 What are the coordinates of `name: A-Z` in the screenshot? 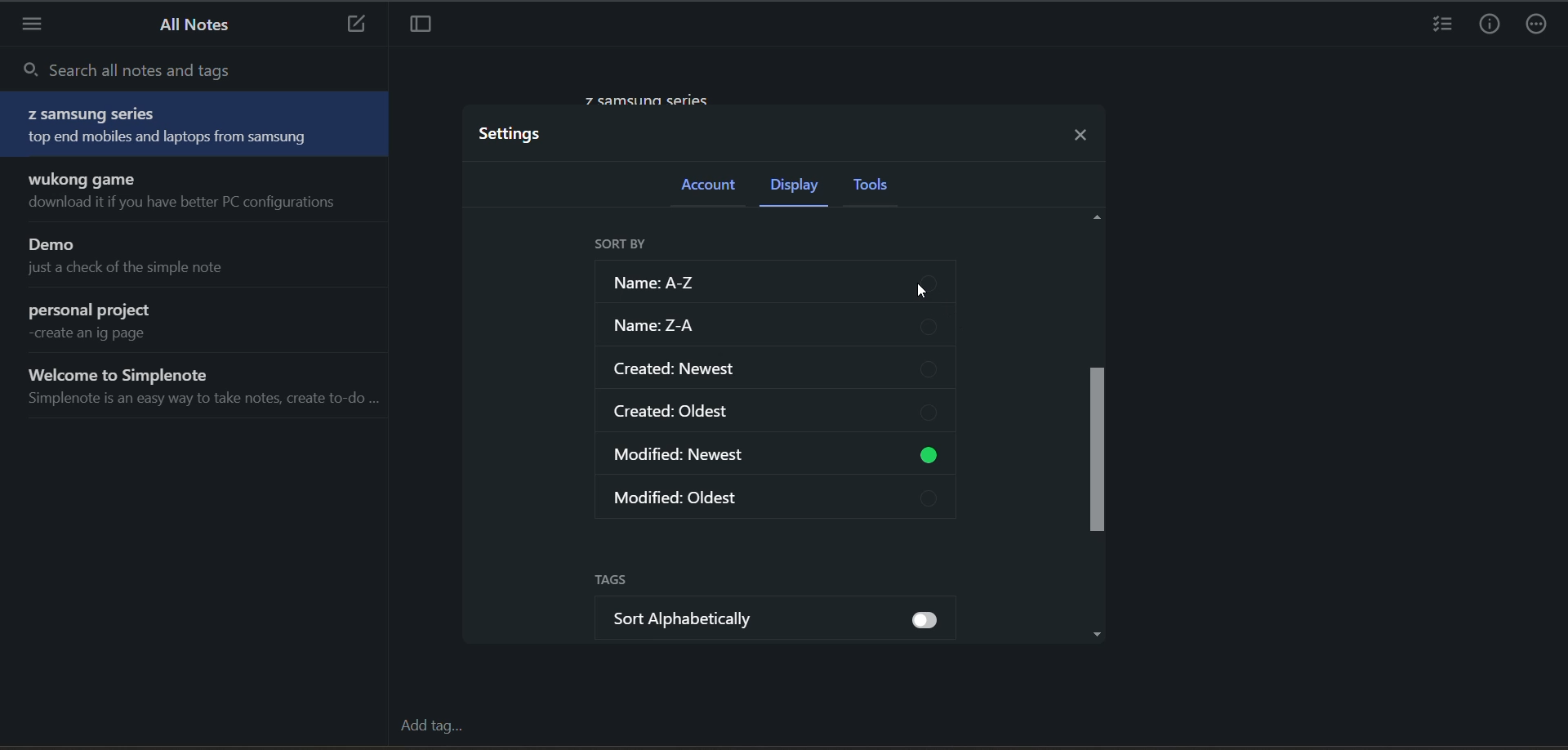 It's located at (774, 283).